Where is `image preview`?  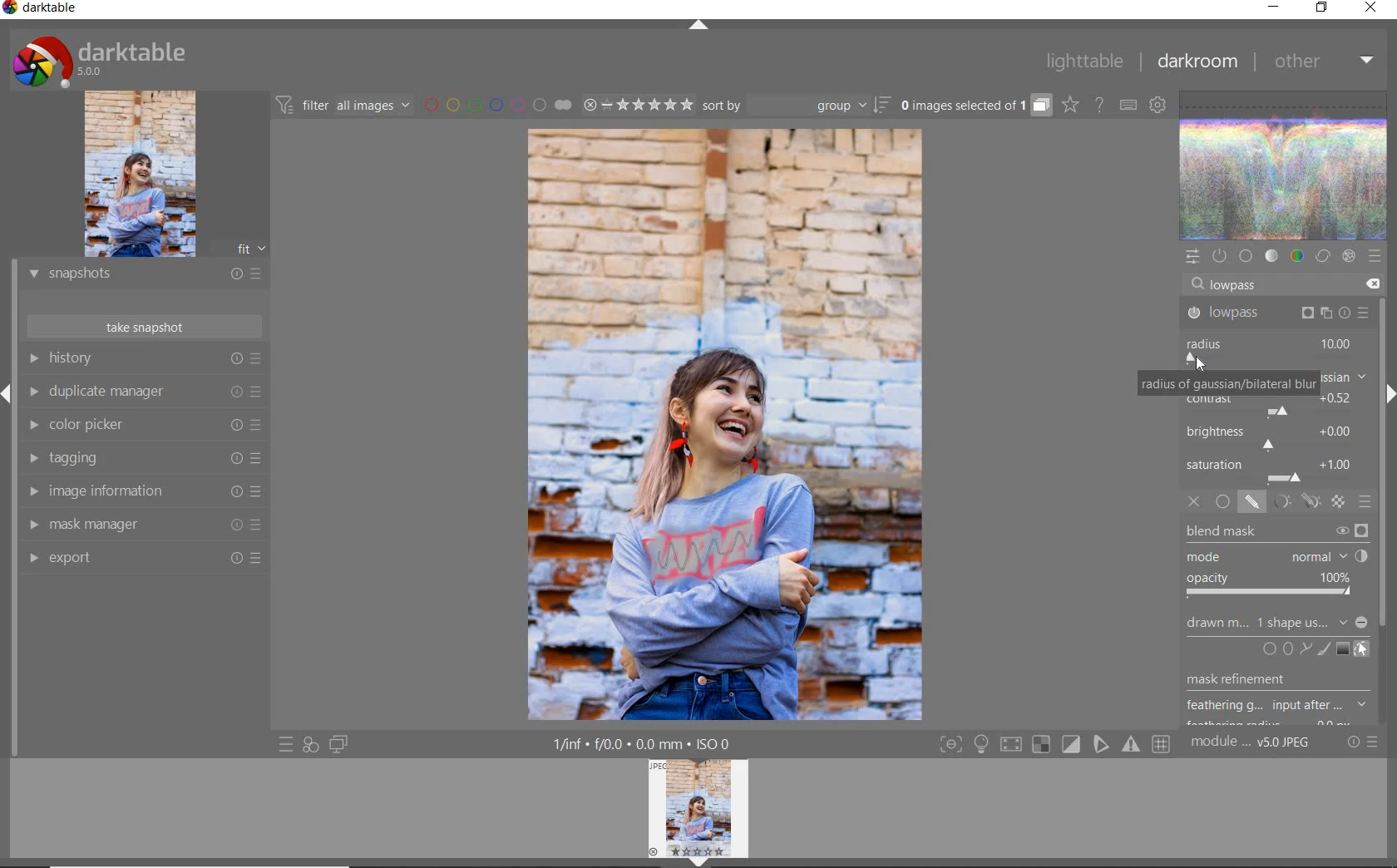 image preview is located at coordinates (703, 812).